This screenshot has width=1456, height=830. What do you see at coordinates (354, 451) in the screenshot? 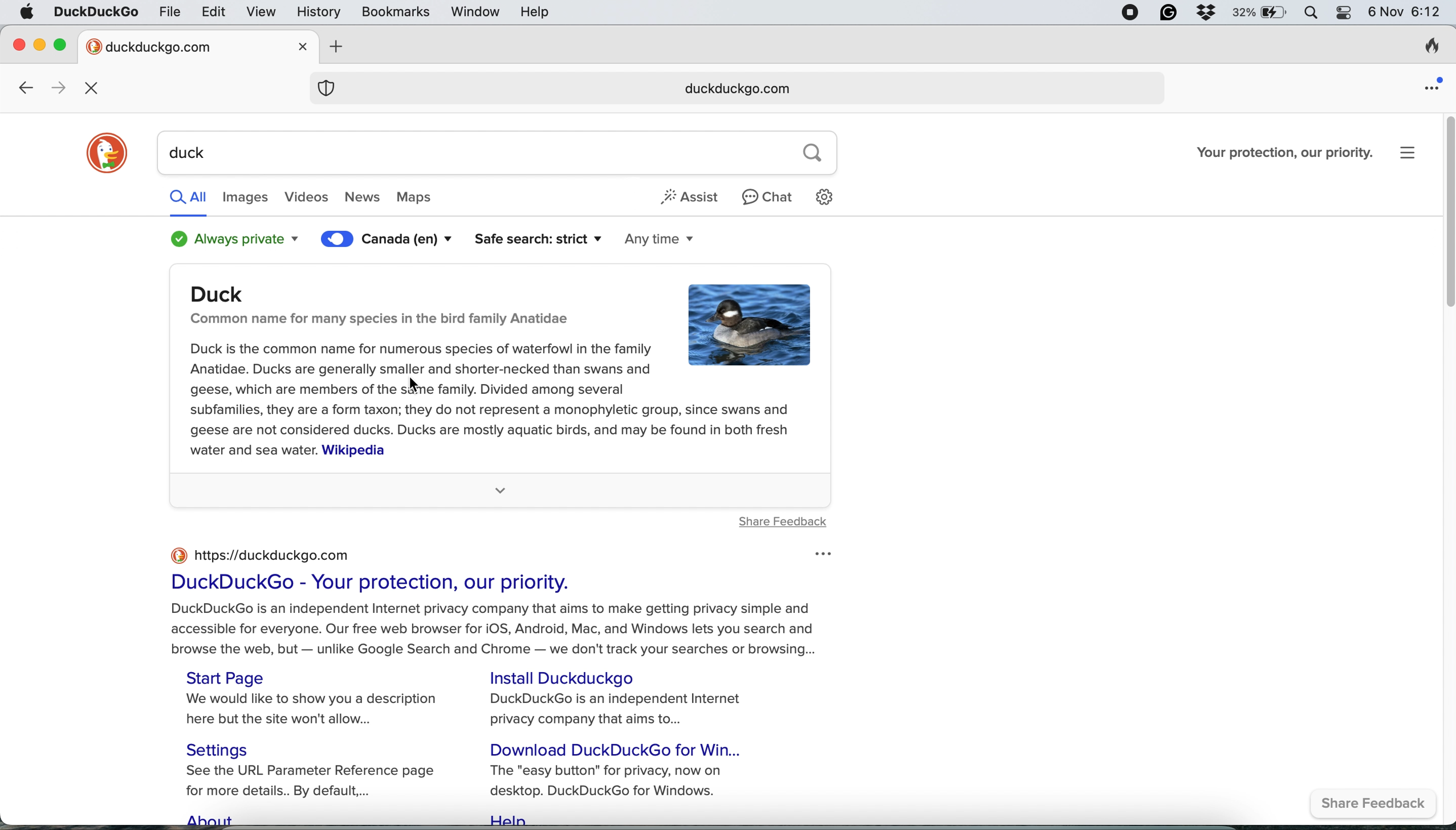
I see `Wikipedia` at bounding box center [354, 451].